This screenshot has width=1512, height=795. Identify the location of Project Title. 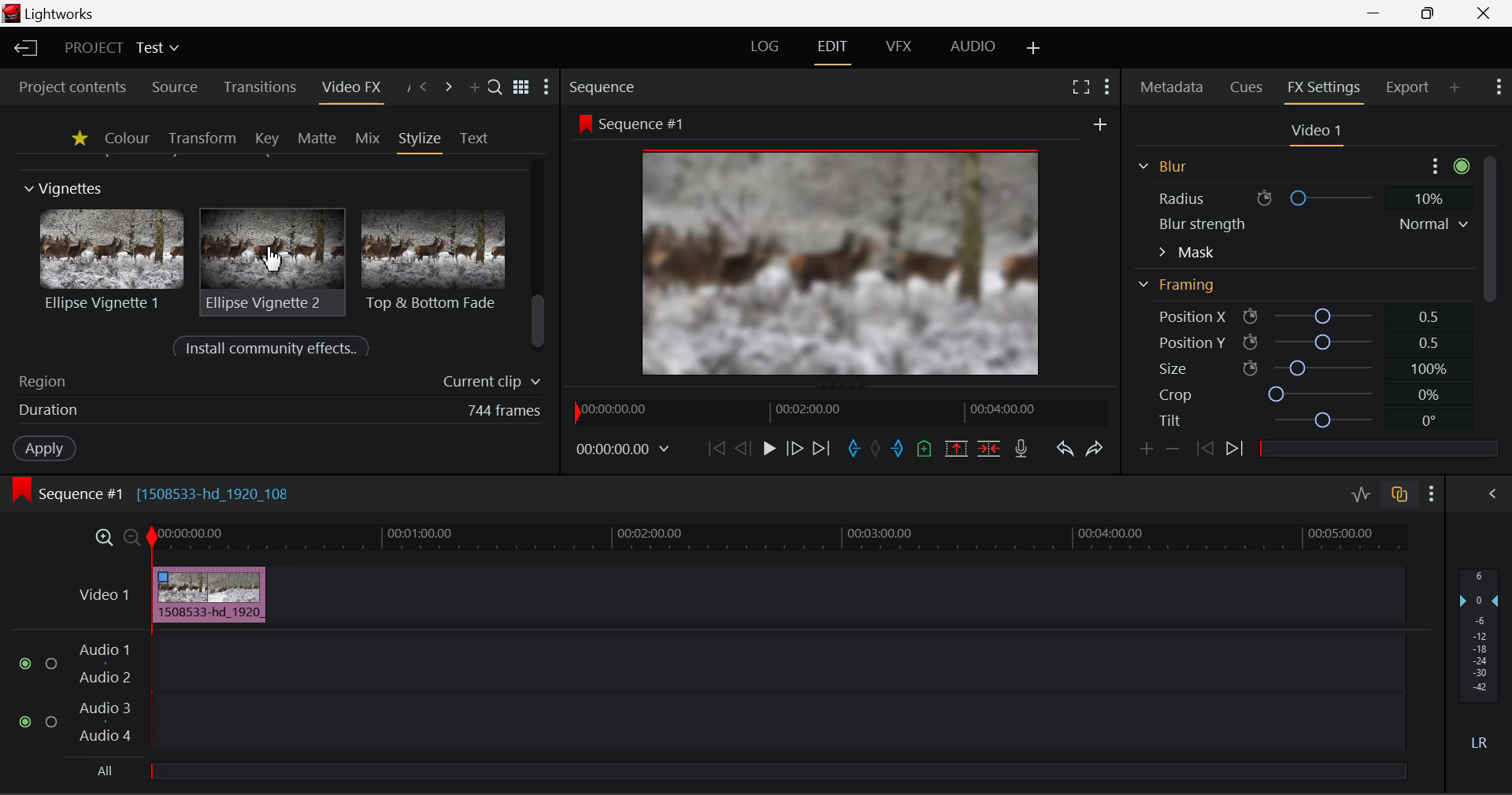
(120, 50).